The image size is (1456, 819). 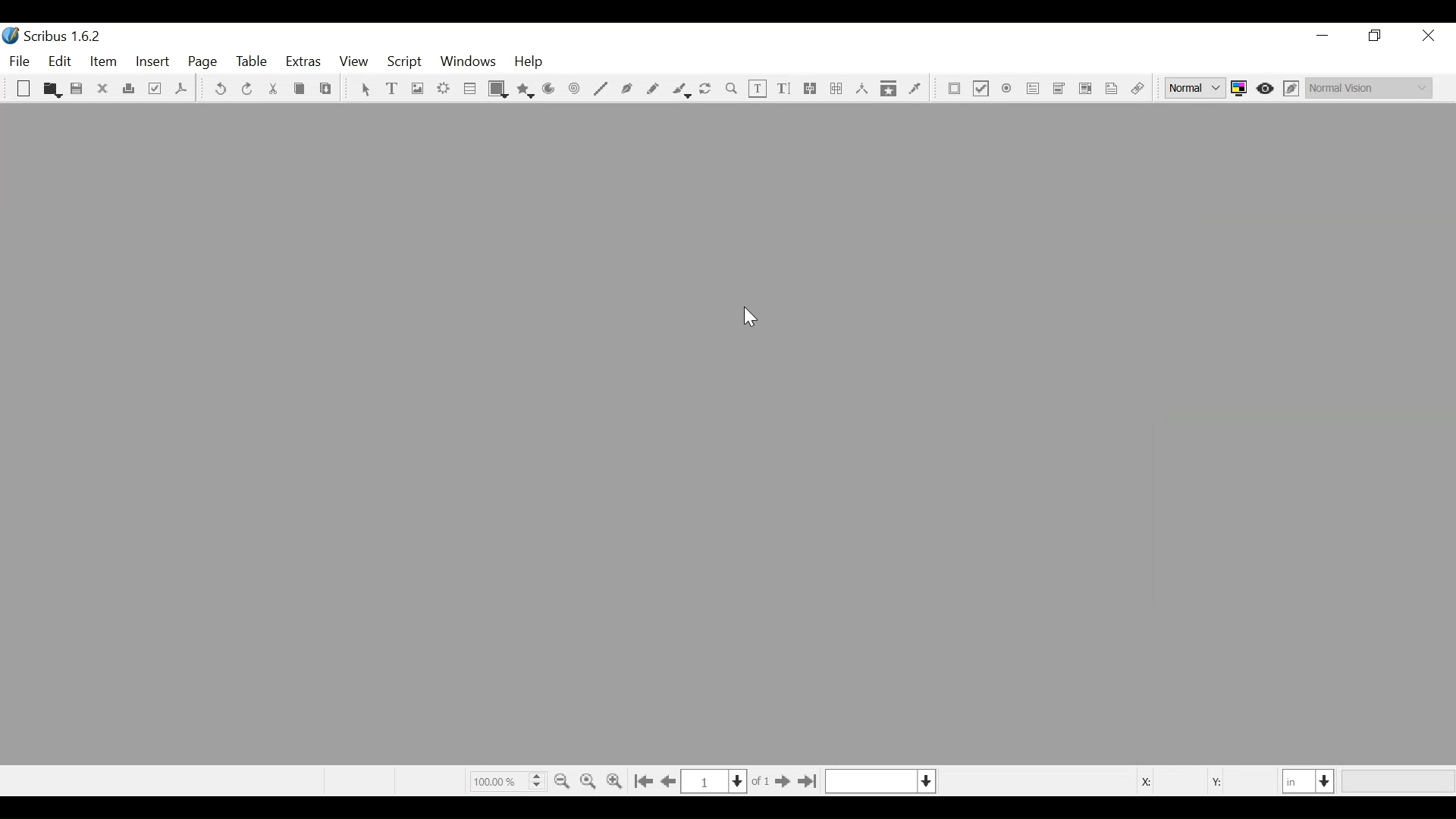 I want to click on Edit, so click(x=61, y=62).